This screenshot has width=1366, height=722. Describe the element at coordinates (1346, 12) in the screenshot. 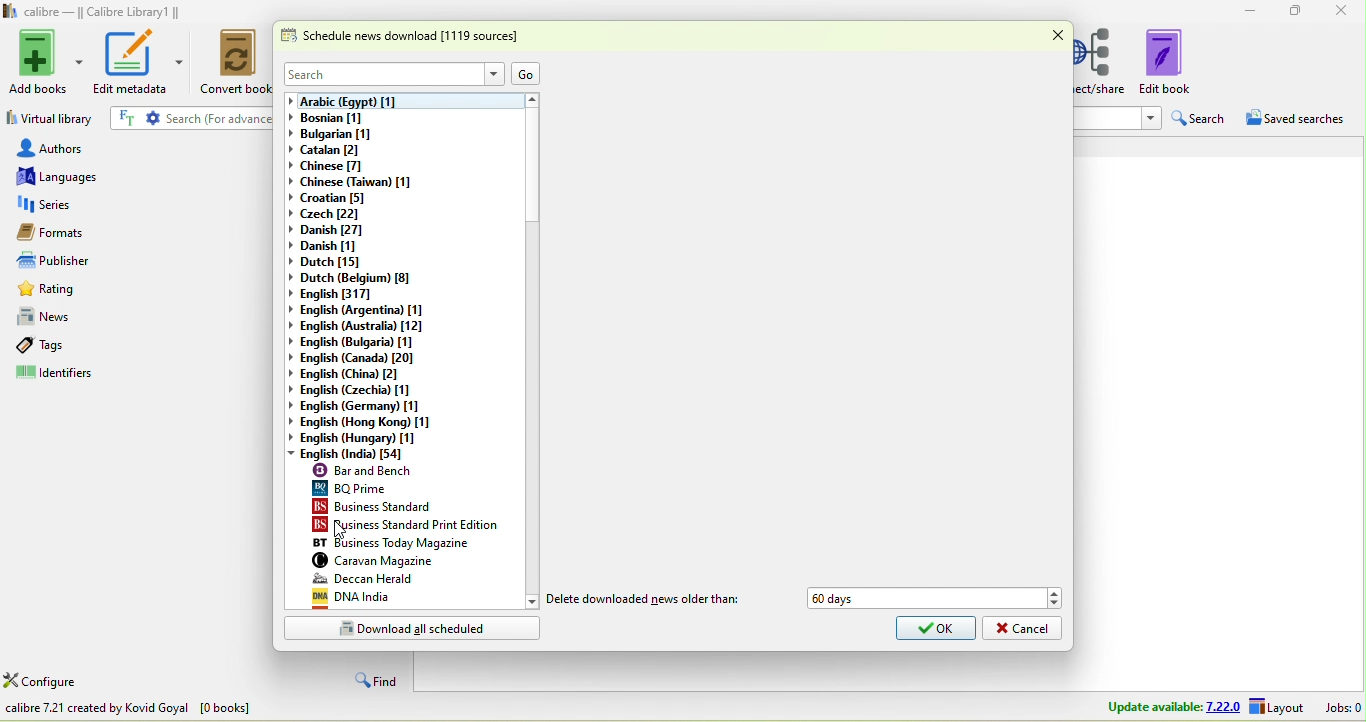

I see `close` at that location.